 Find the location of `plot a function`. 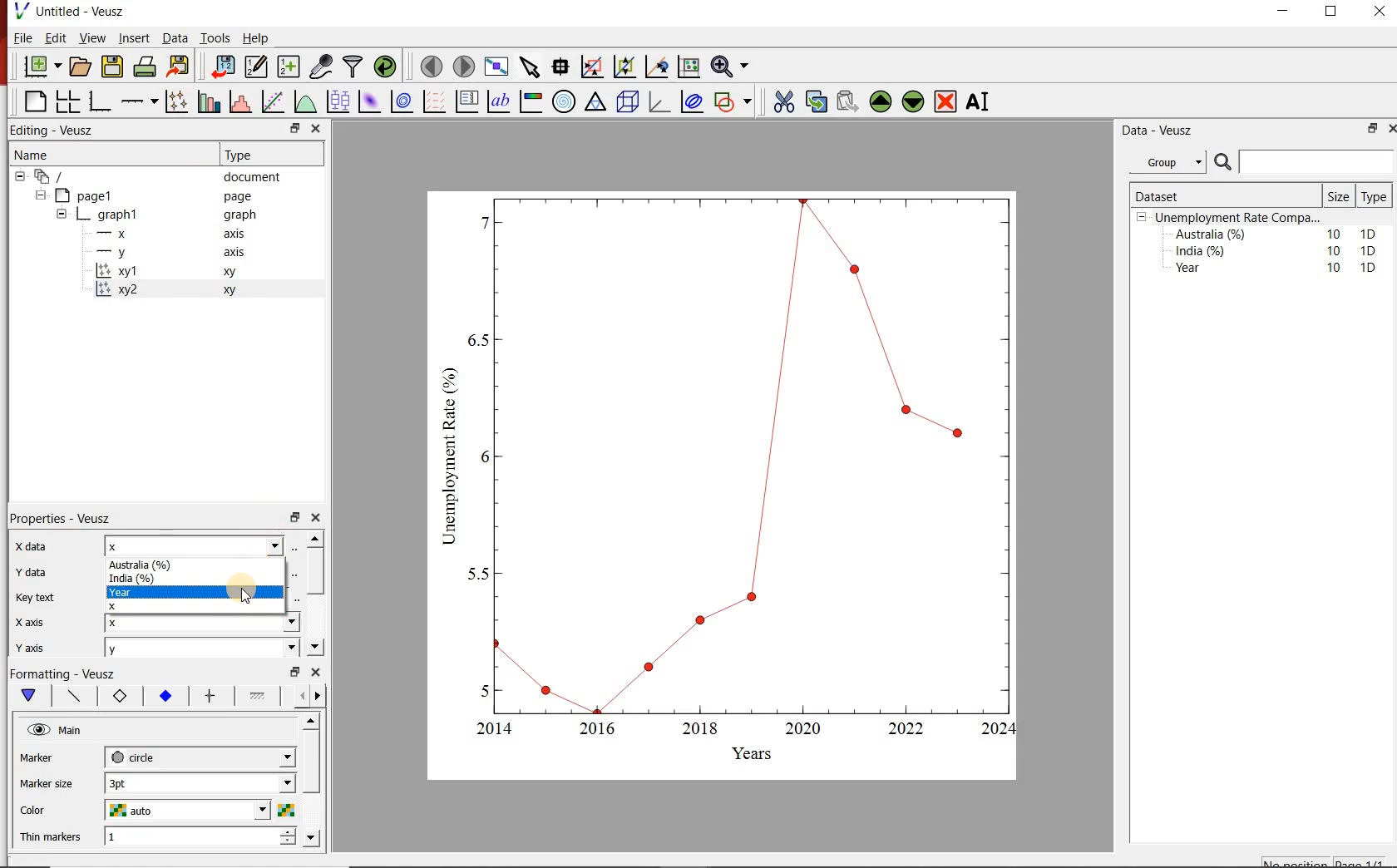

plot a function is located at coordinates (305, 101).